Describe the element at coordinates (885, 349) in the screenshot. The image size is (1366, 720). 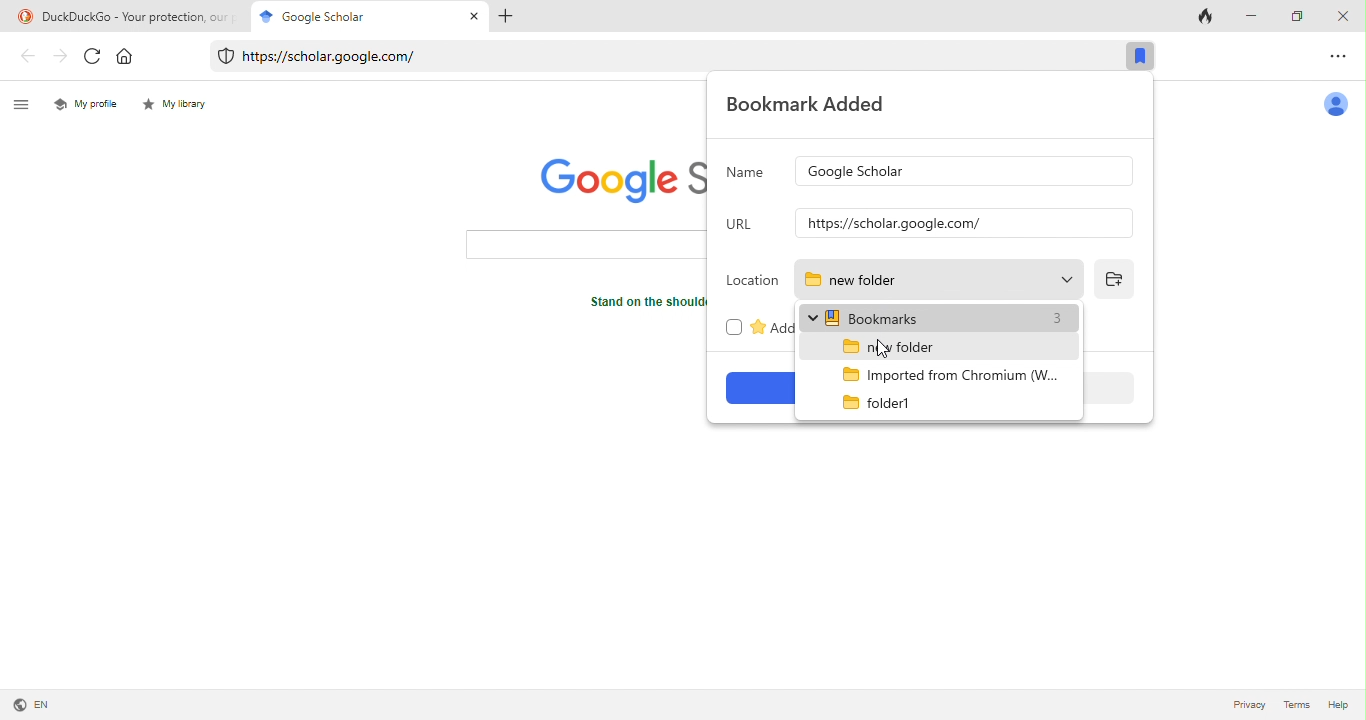
I see `cursor movement` at that location.